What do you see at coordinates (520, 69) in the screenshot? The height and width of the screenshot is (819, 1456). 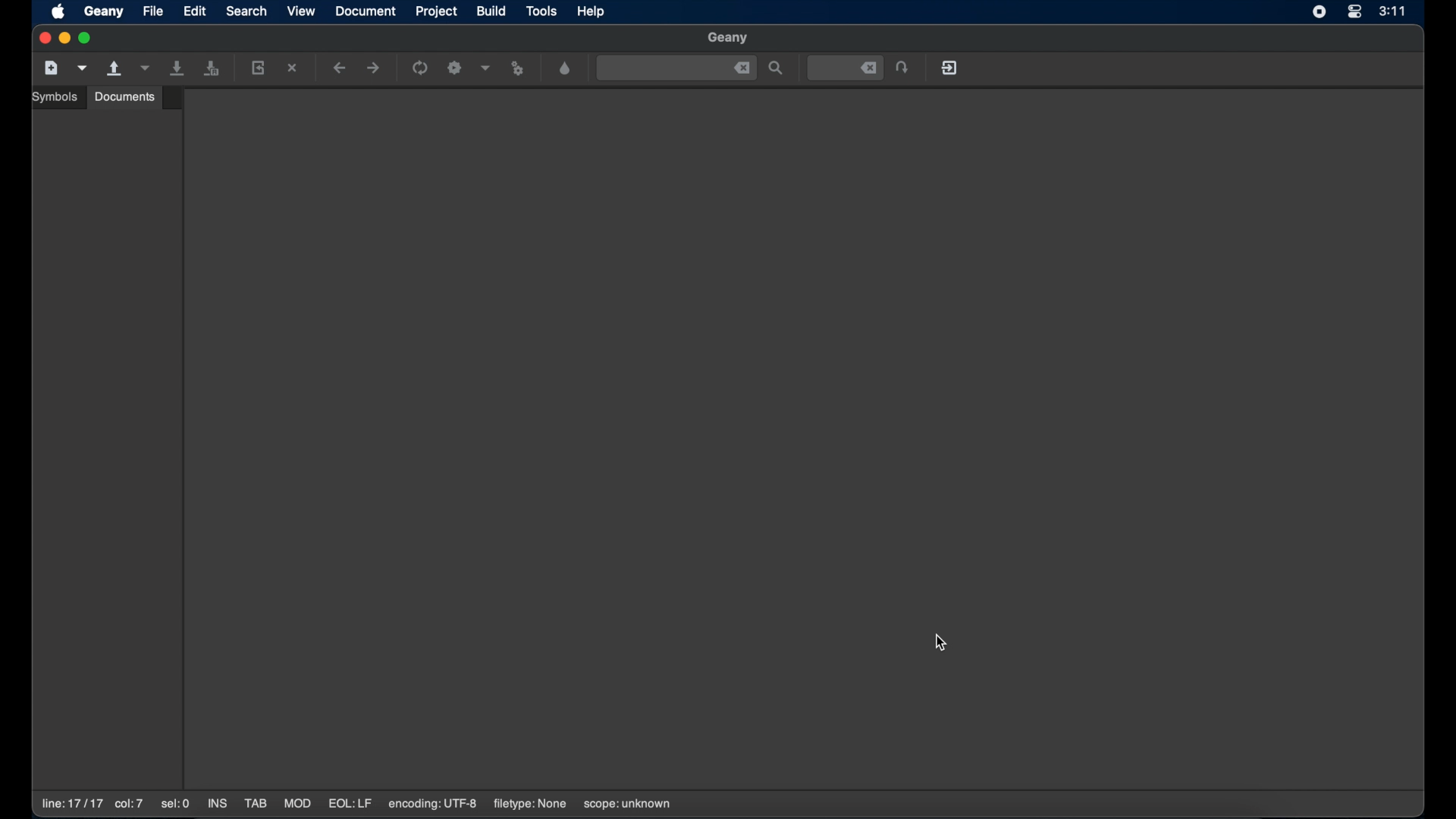 I see `run or view the current file file` at bounding box center [520, 69].